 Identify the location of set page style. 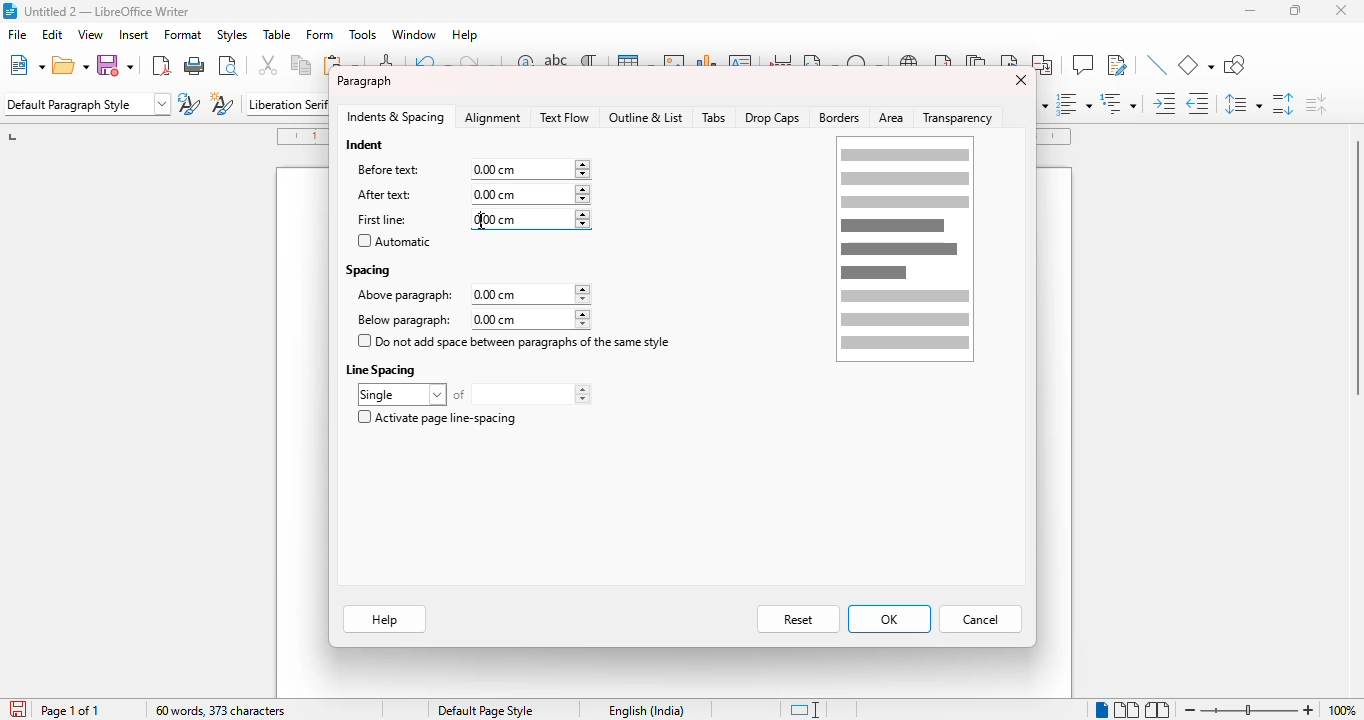
(87, 104).